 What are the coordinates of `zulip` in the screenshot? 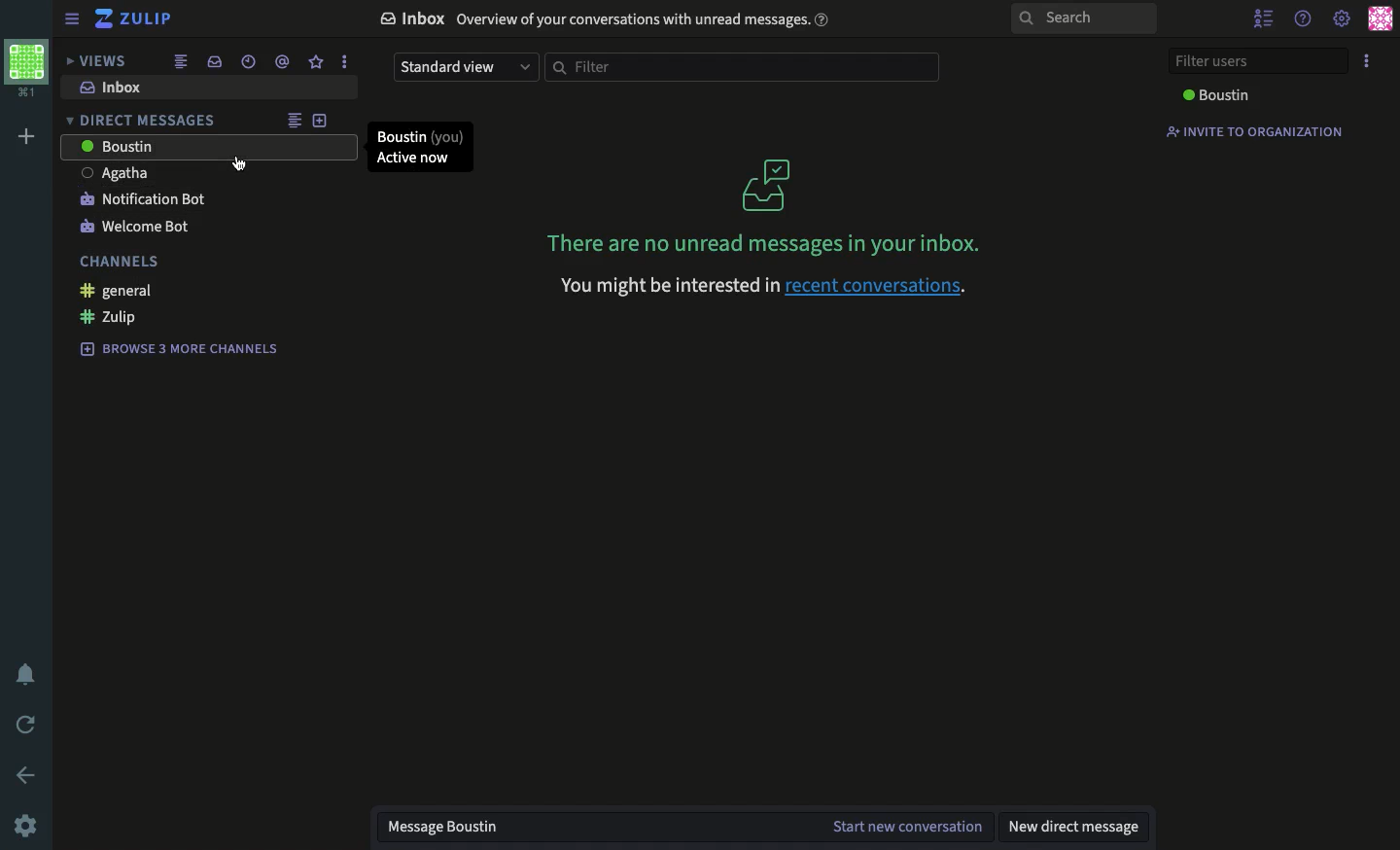 It's located at (114, 318).